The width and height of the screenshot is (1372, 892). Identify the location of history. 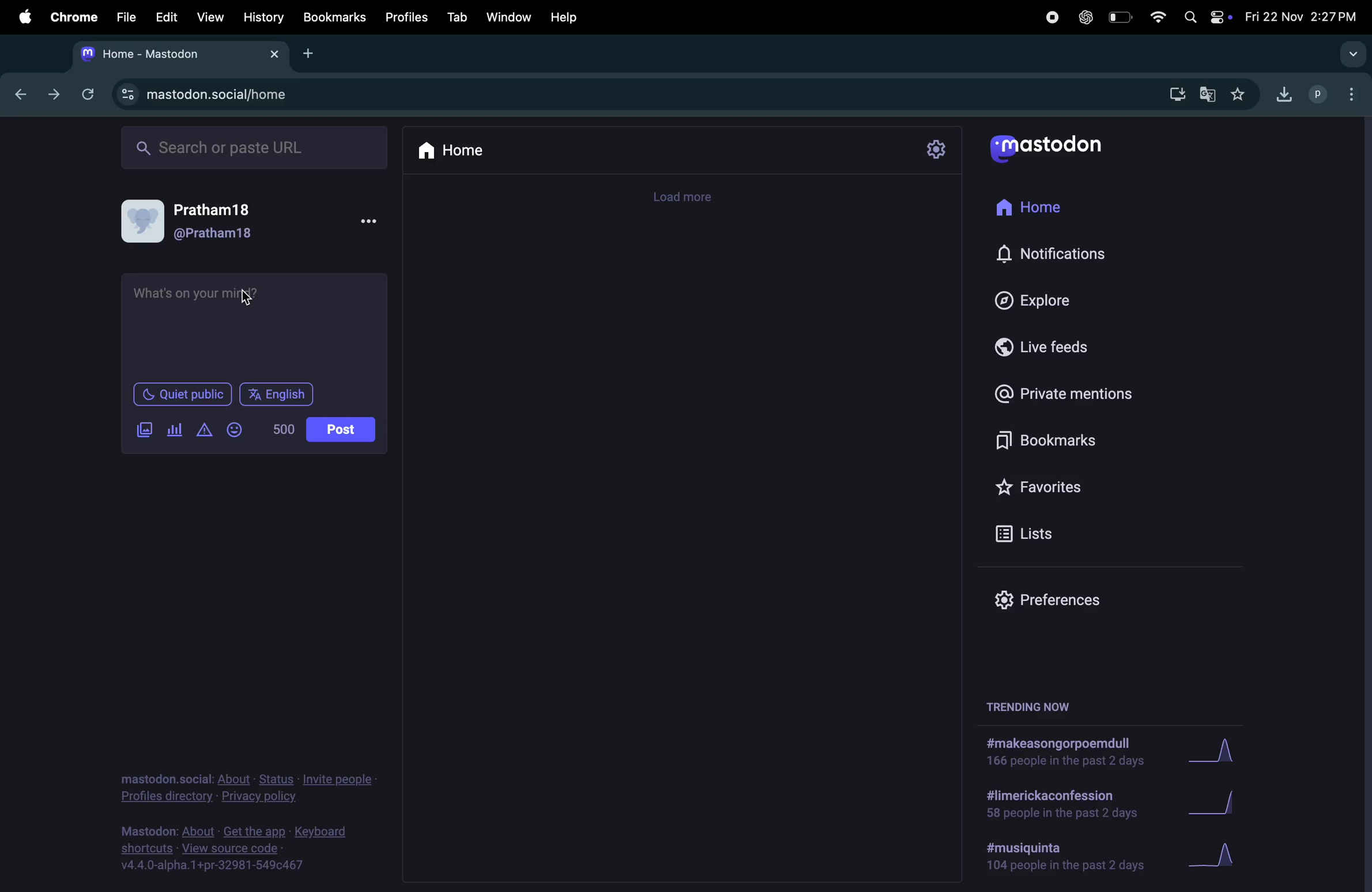
(262, 16).